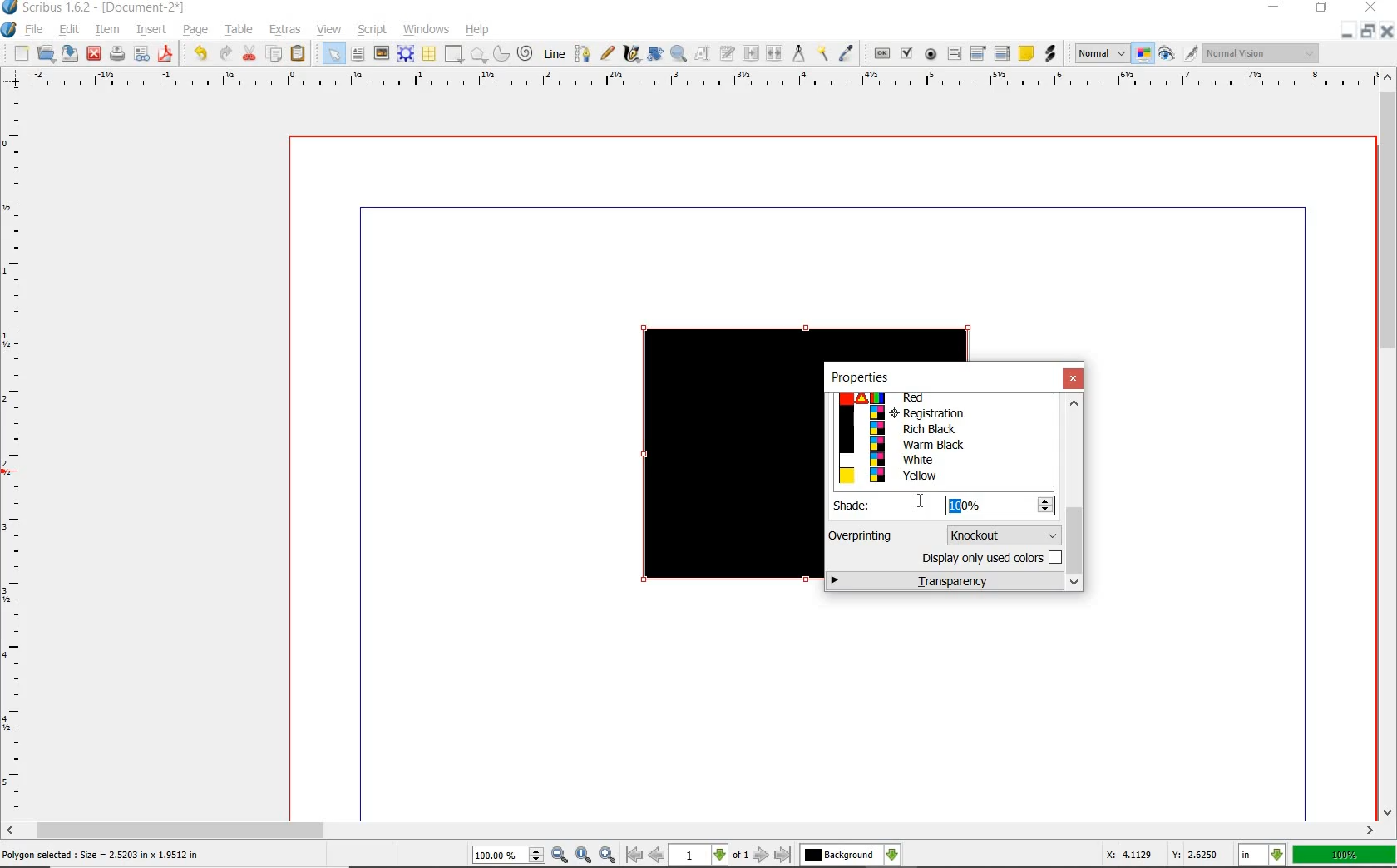 The height and width of the screenshot is (868, 1397). Describe the element at coordinates (990, 560) in the screenshot. I see `display only used colors` at that location.